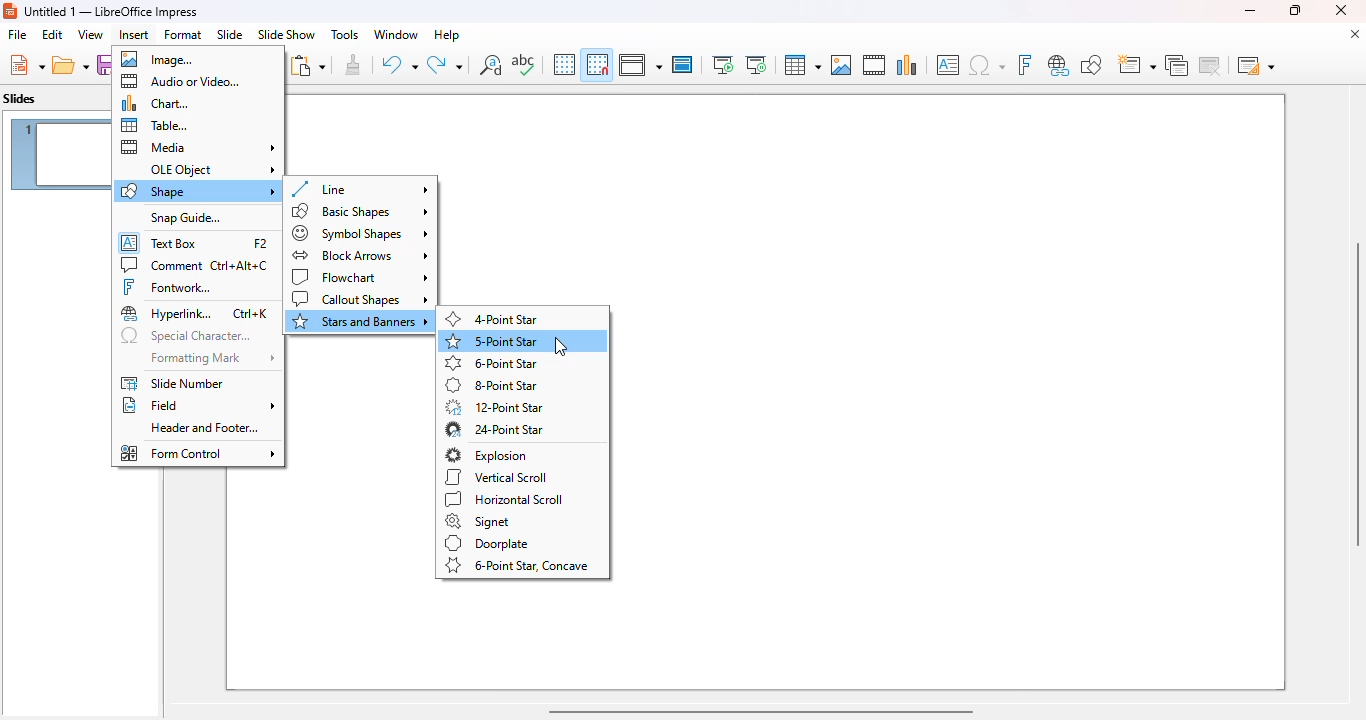 Image resolution: width=1366 pixels, height=720 pixels. I want to click on 8-point star, so click(491, 385).